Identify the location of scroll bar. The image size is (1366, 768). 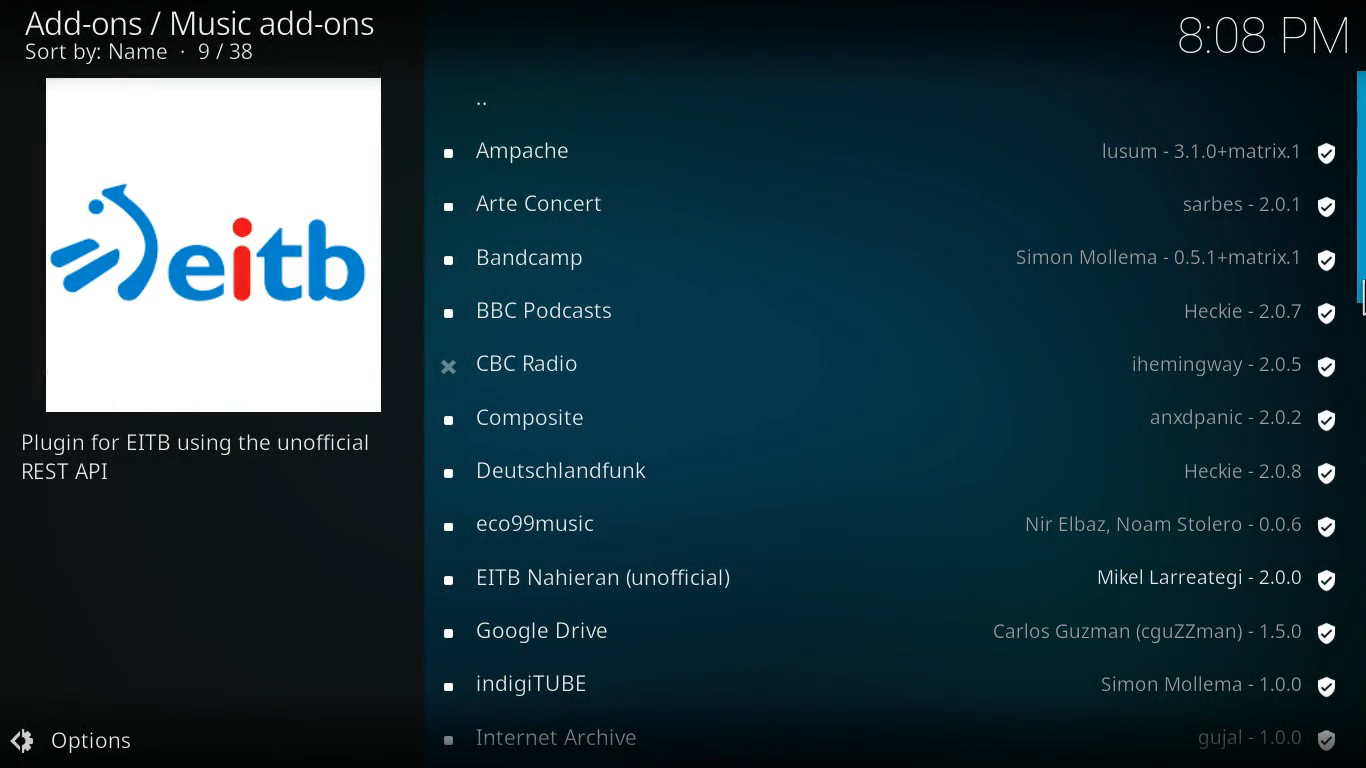
(1360, 186).